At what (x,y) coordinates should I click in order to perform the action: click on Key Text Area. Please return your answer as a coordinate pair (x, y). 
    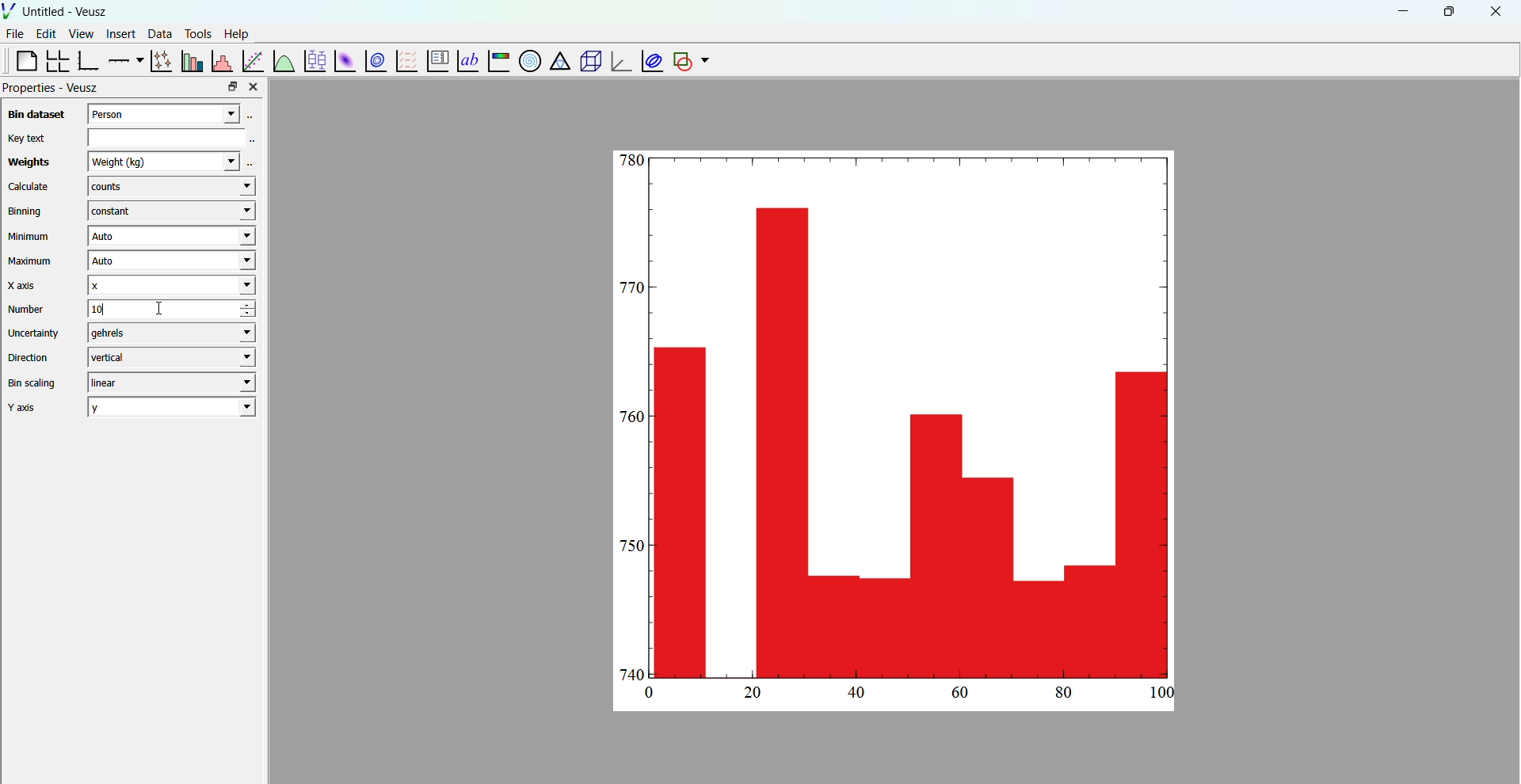
    Looking at the image, I should click on (175, 136).